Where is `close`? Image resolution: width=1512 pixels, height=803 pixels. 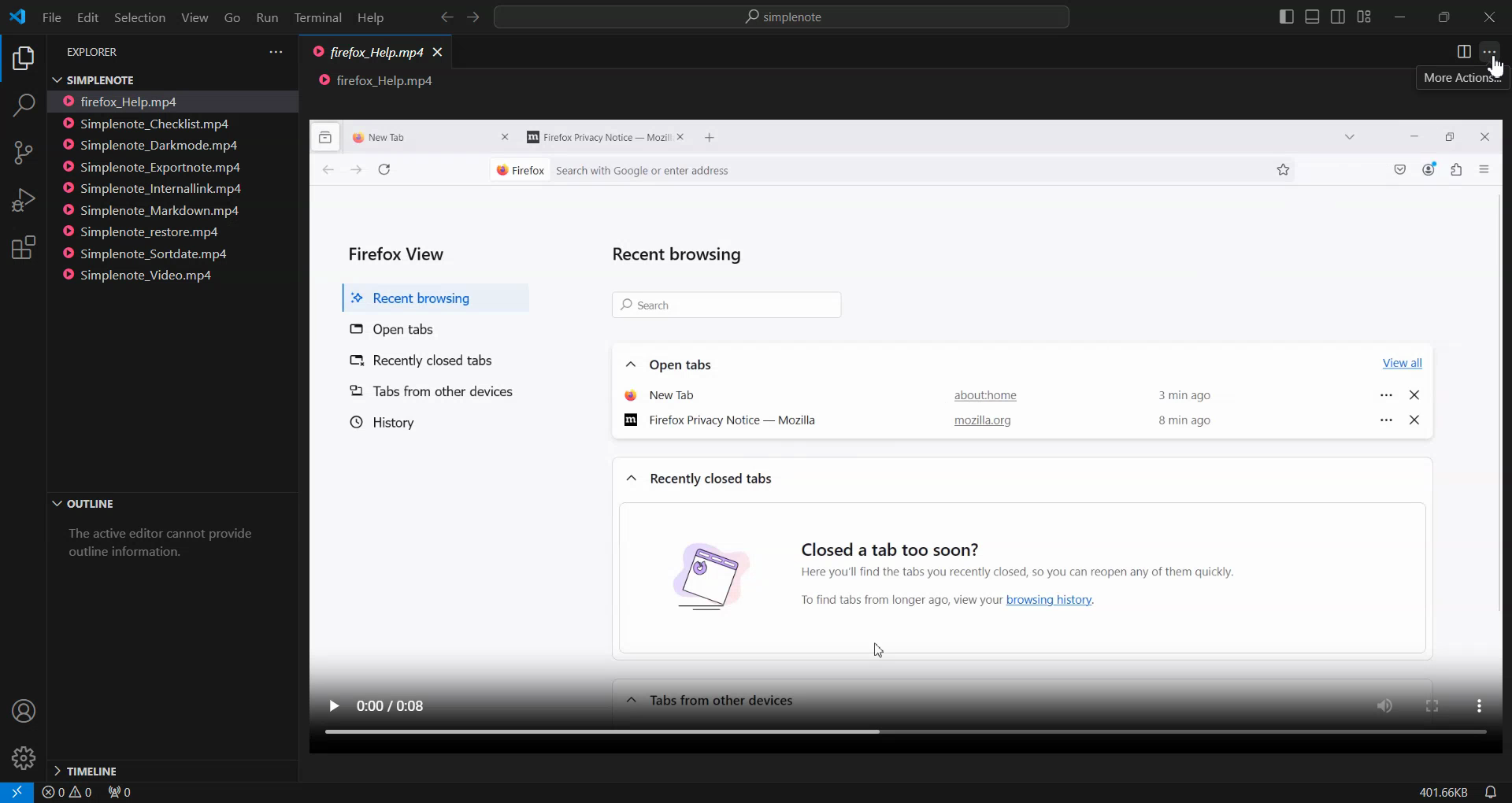
close is located at coordinates (1417, 419).